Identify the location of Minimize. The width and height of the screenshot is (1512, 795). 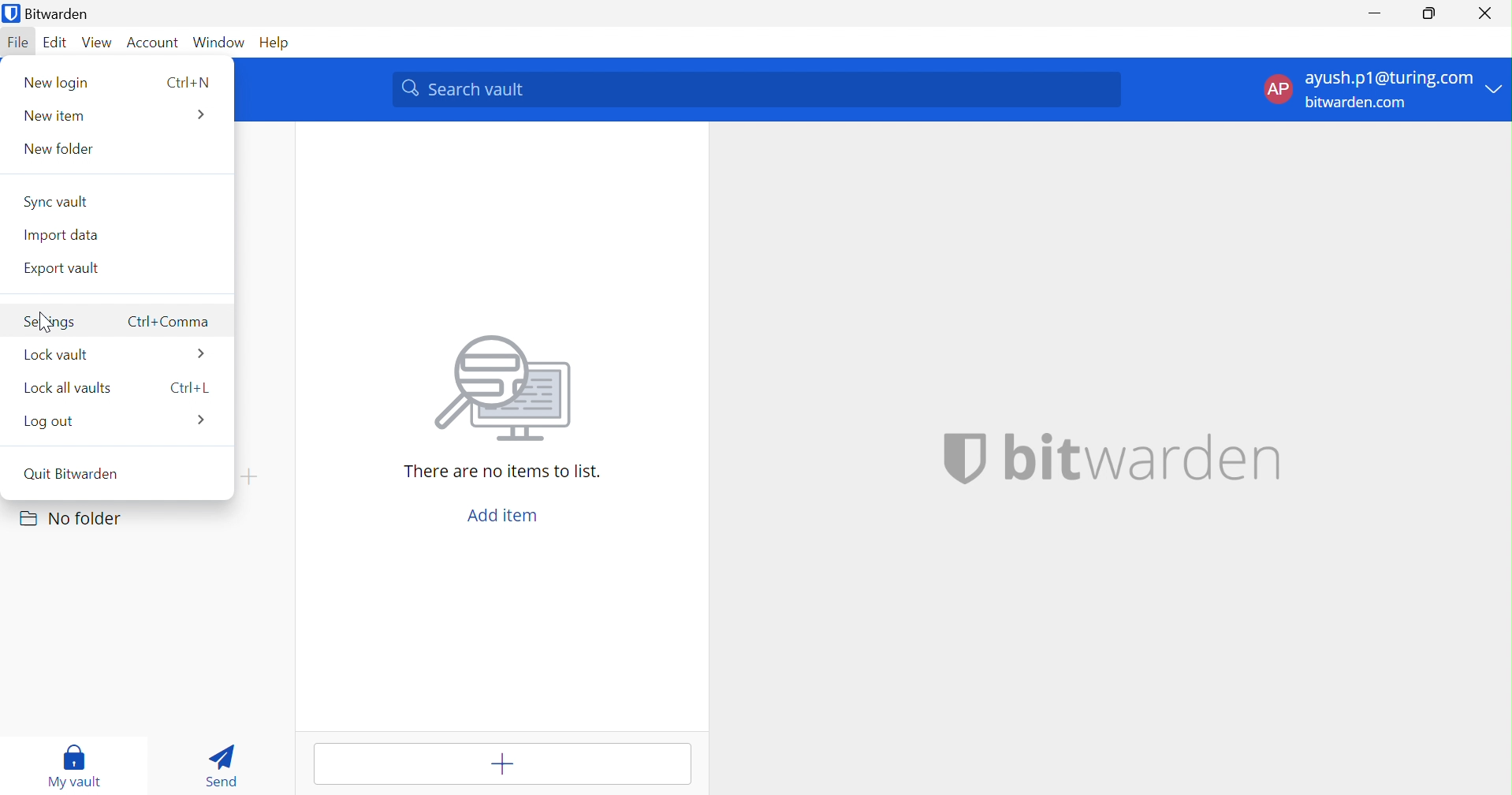
(1372, 17).